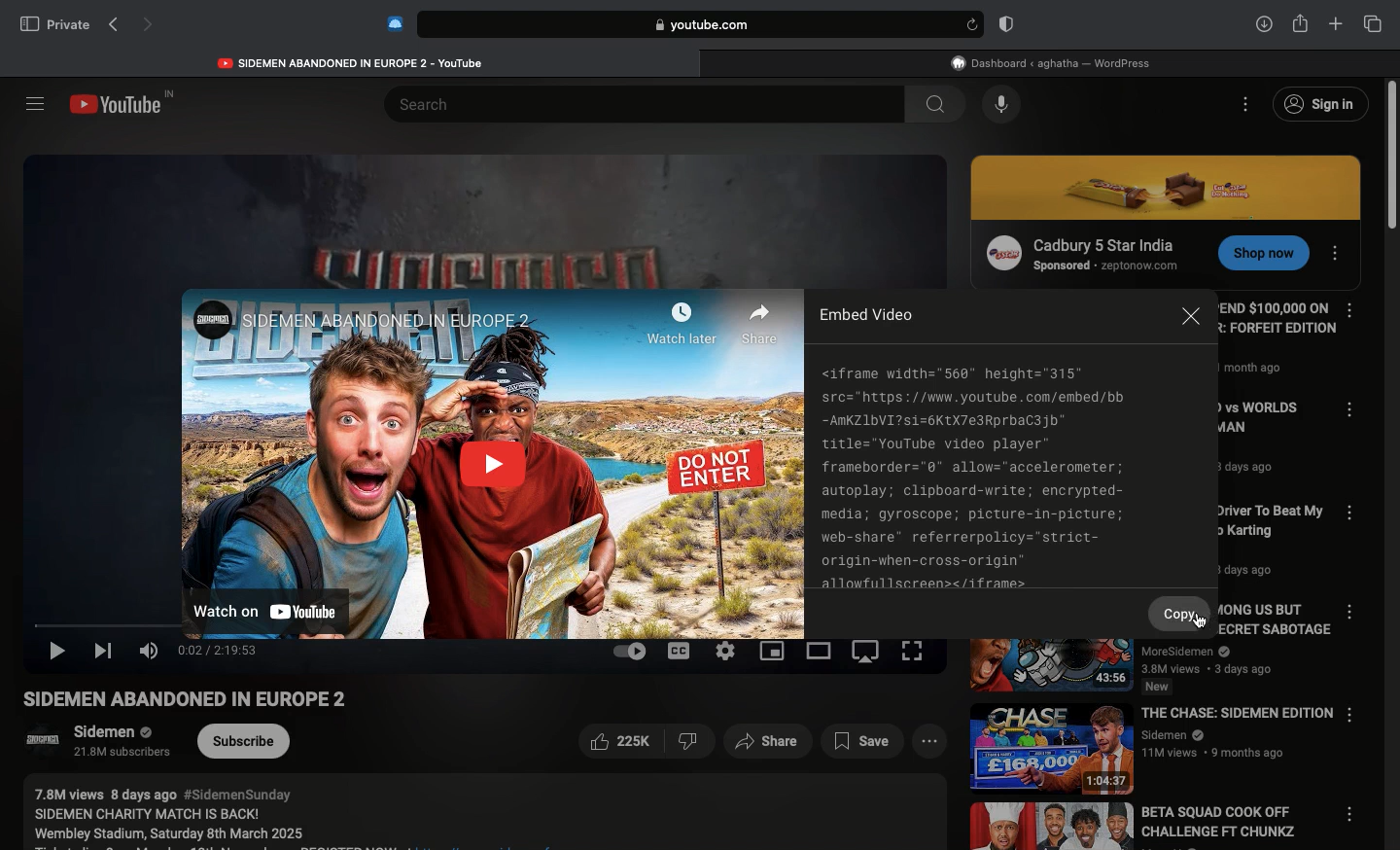 The height and width of the screenshot is (850, 1400). What do you see at coordinates (863, 314) in the screenshot?
I see `Embed video` at bounding box center [863, 314].